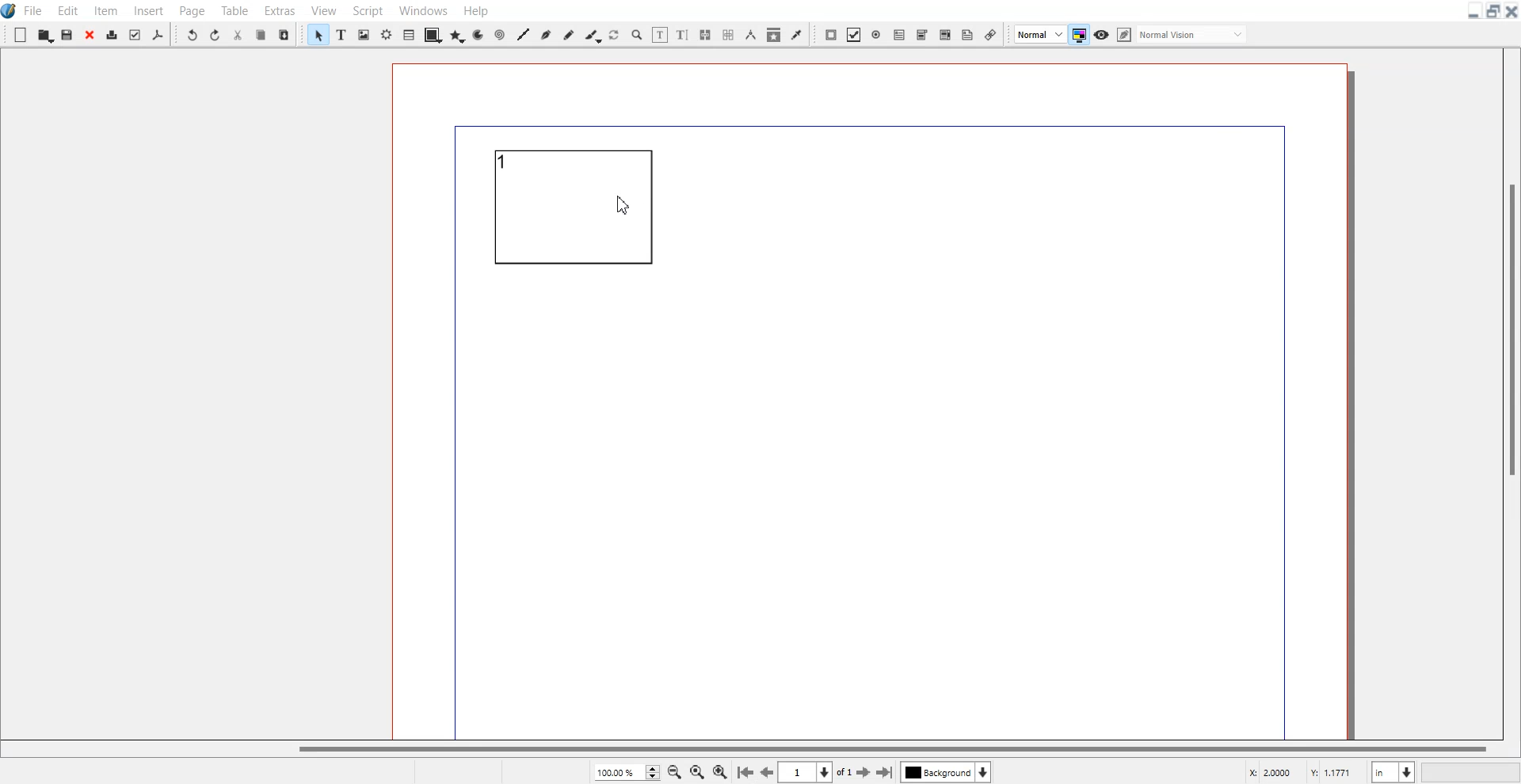 Image resolution: width=1521 pixels, height=784 pixels. I want to click on Polygon, so click(457, 33).